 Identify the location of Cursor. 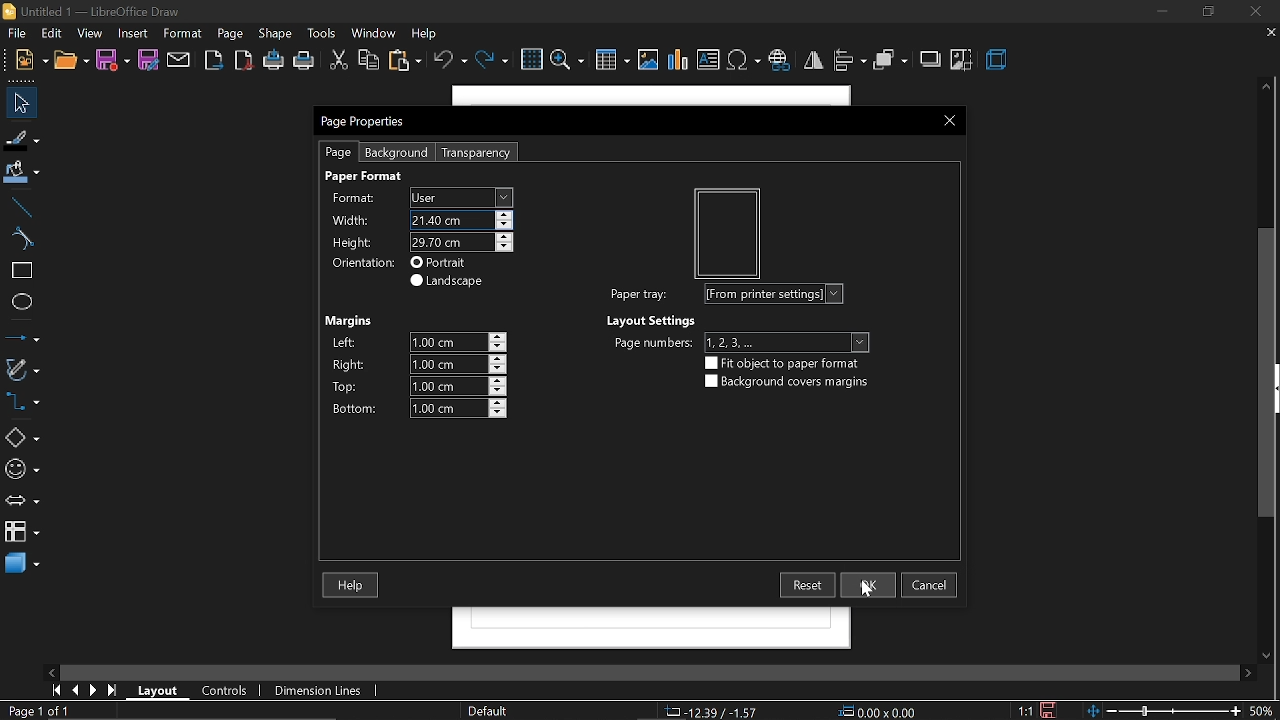
(866, 590).